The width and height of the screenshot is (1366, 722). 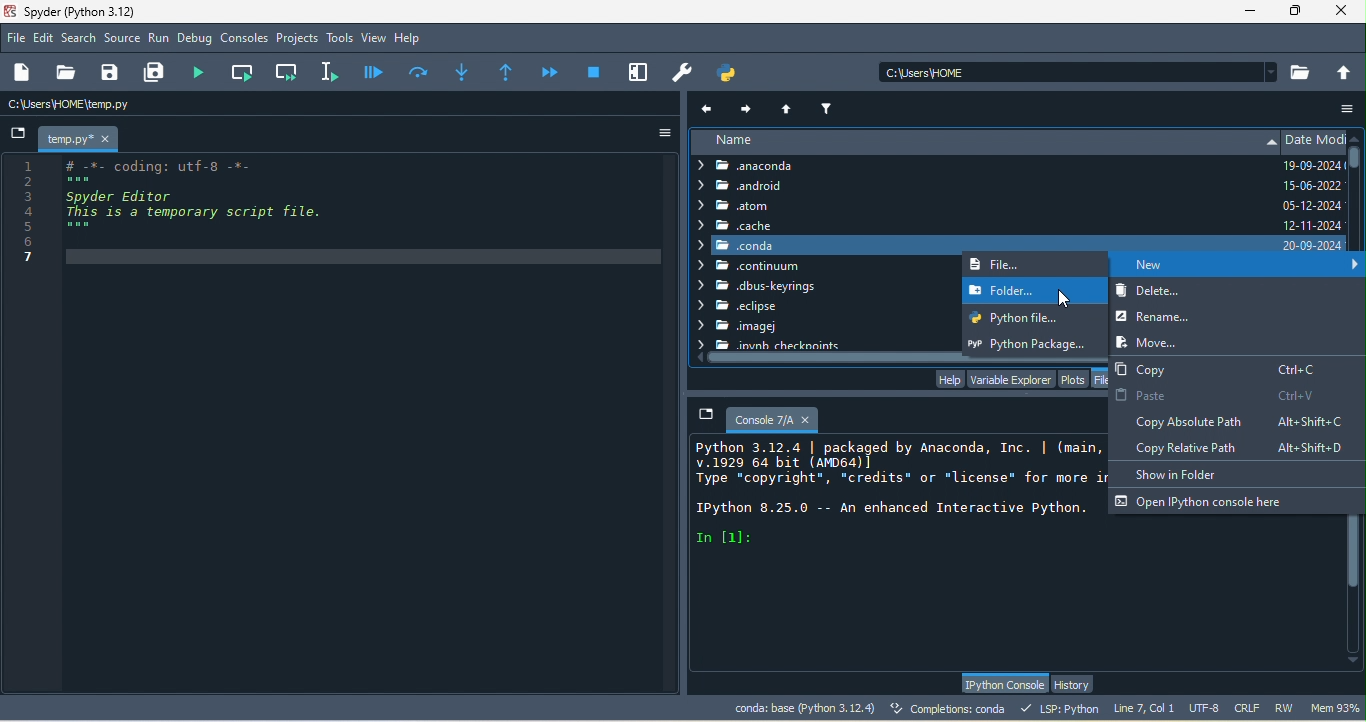 What do you see at coordinates (1246, 448) in the screenshot?
I see `copy relative path` at bounding box center [1246, 448].